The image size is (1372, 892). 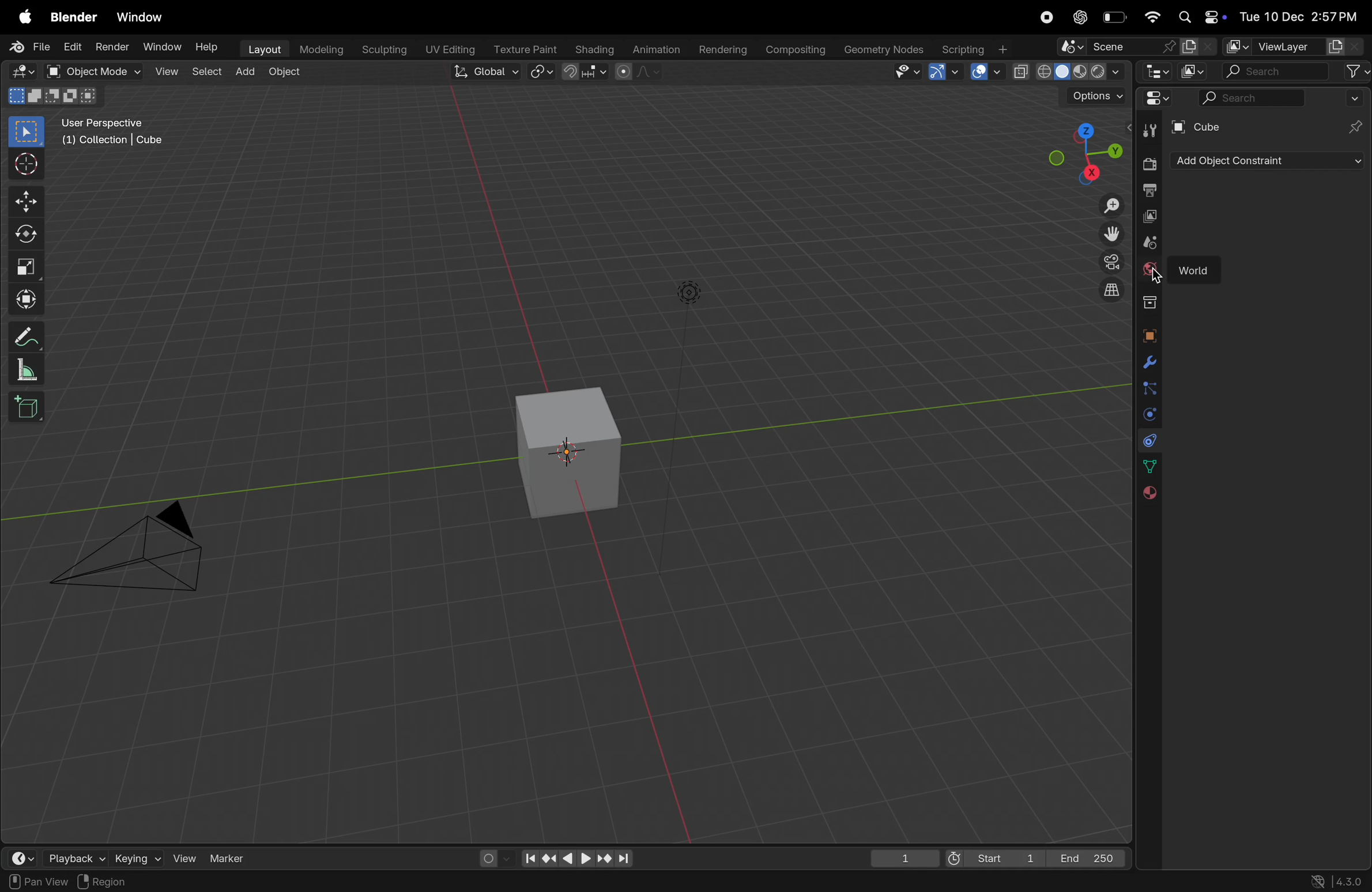 I want to click on view, so click(x=165, y=71).